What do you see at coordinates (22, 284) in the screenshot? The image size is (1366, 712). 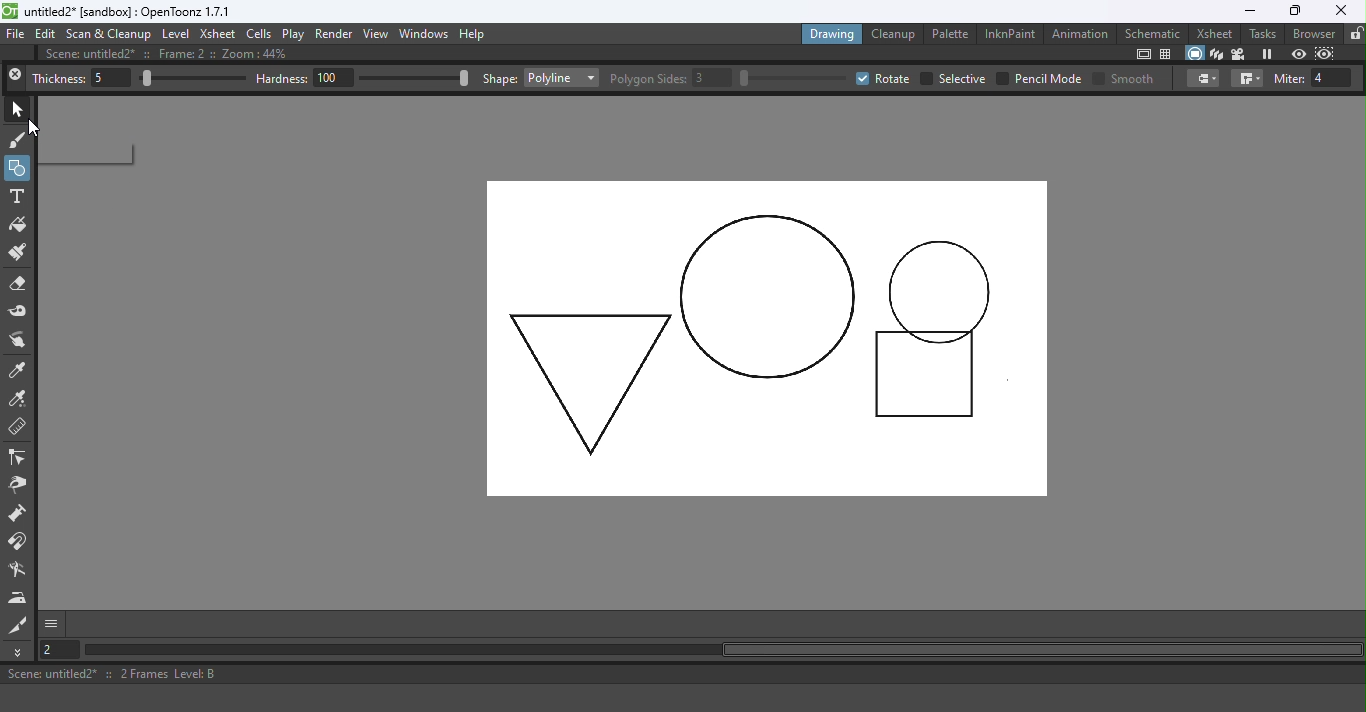 I see `Eraser tool` at bounding box center [22, 284].